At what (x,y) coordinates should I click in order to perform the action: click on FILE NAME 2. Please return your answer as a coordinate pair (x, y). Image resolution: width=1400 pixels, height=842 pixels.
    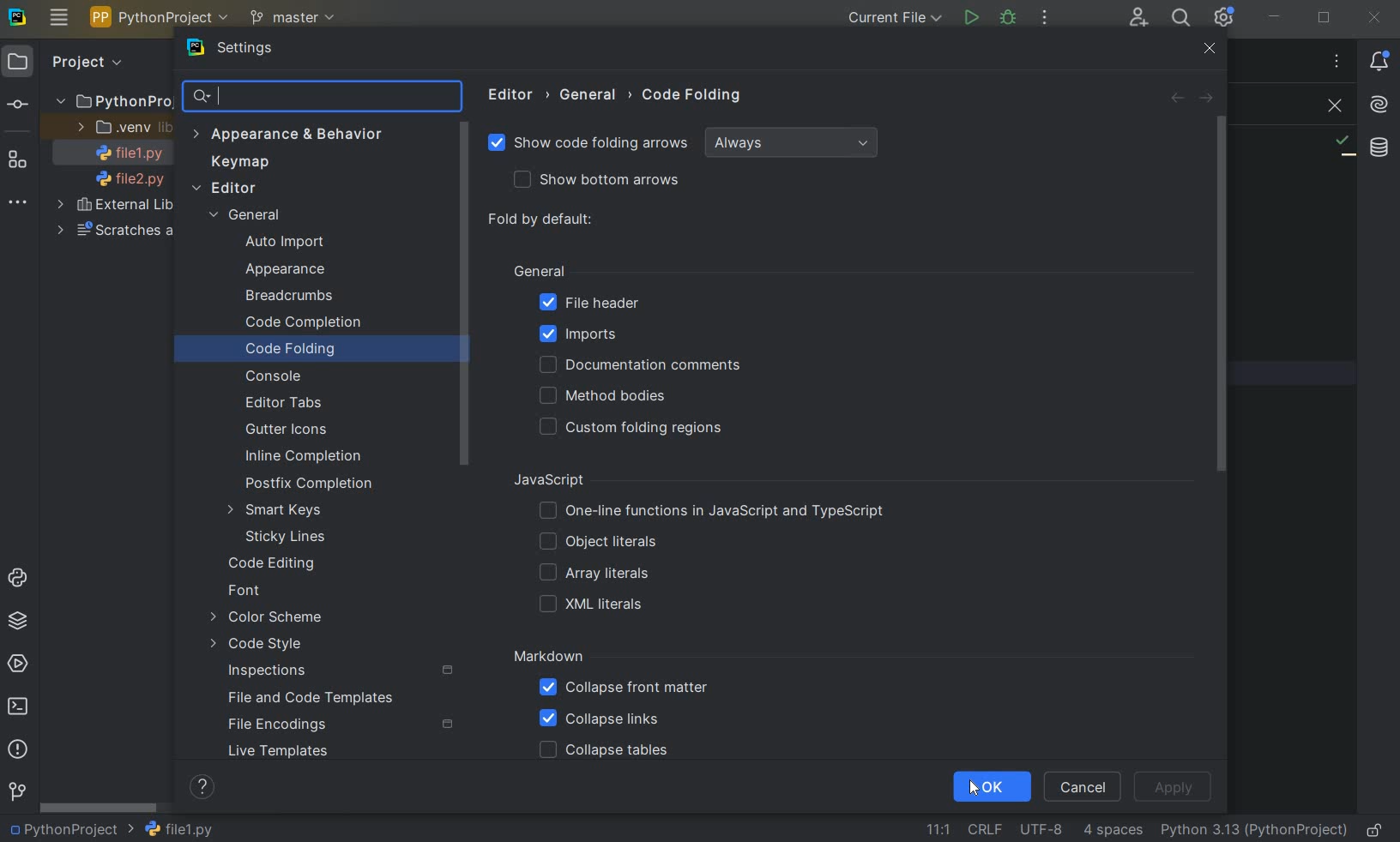
    Looking at the image, I should click on (122, 180).